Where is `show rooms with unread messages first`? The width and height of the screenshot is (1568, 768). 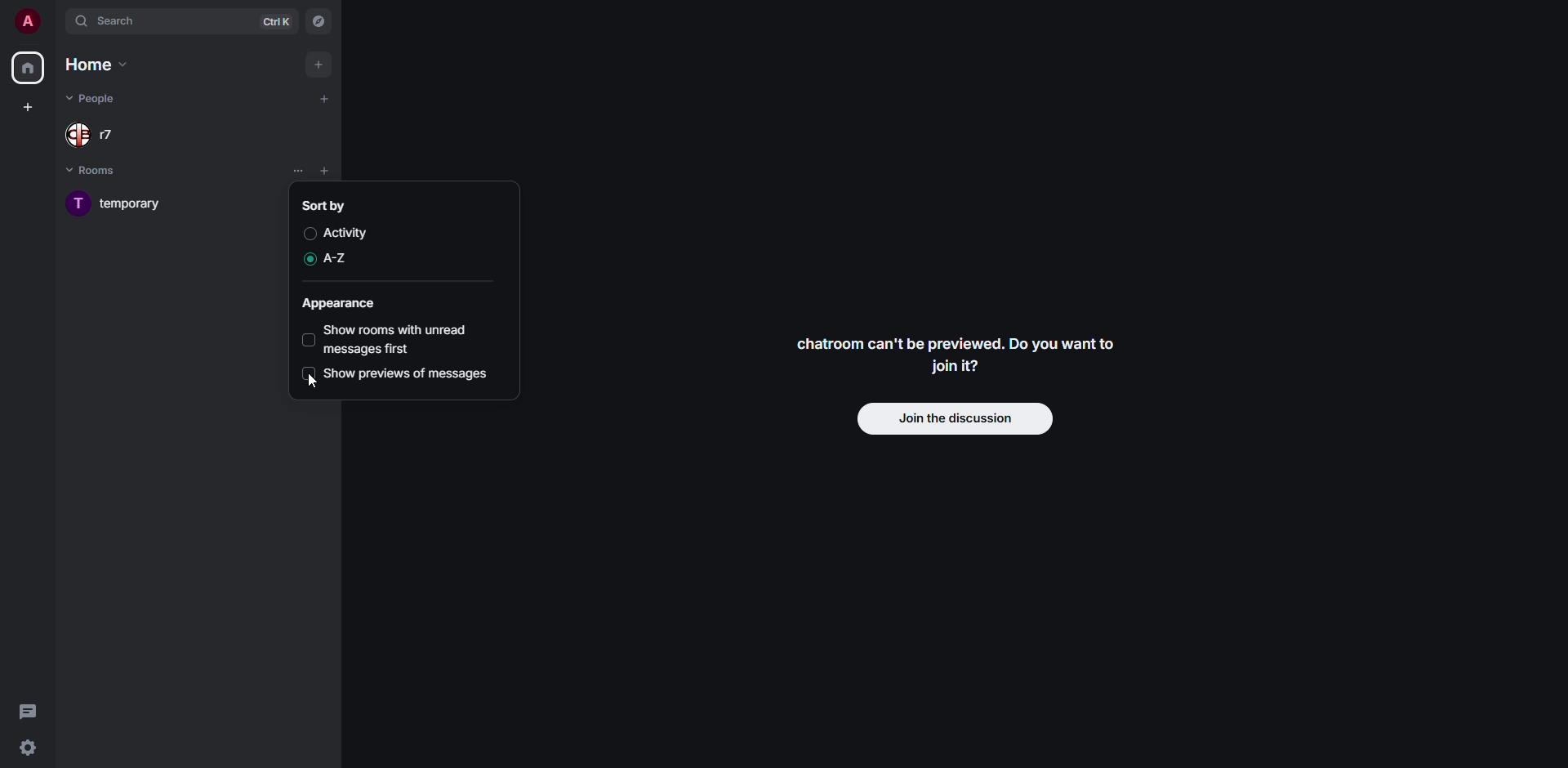
show rooms with unread messages first is located at coordinates (402, 338).